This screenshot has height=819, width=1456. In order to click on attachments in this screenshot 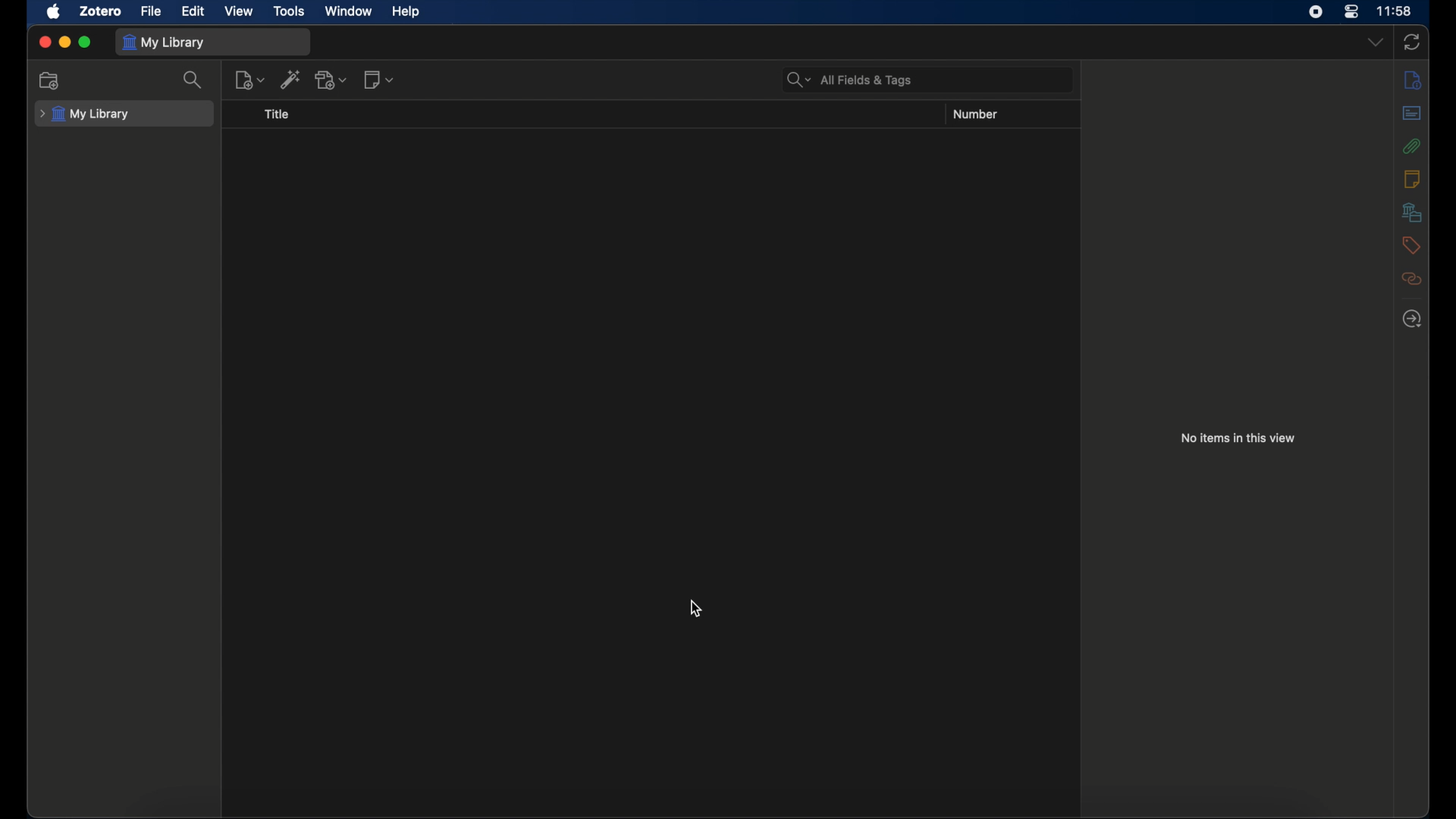, I will do `click(1411, 146)`.